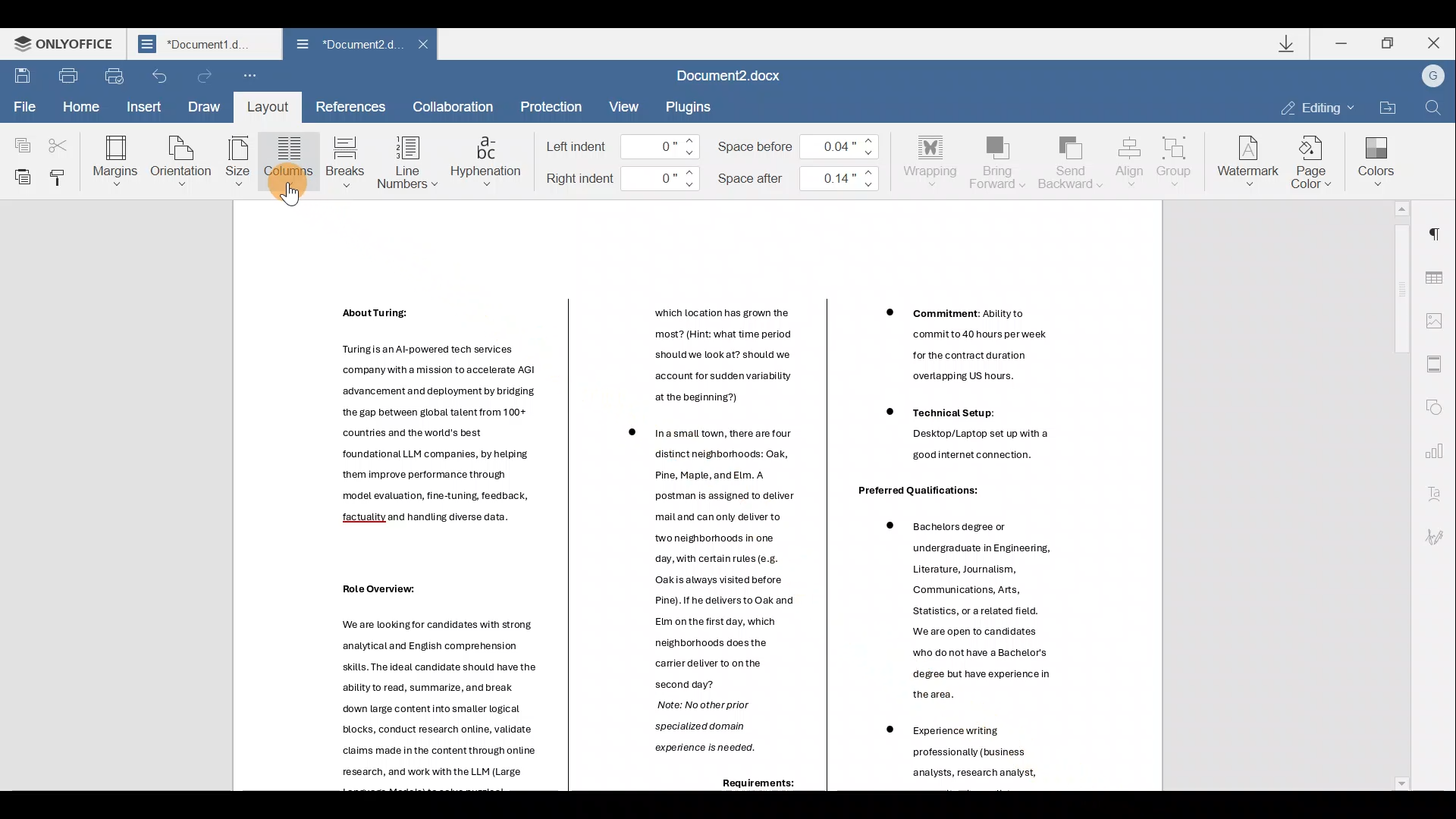 The height and width of the screenshot is (819, 1456). Describe the element at coordinates (705, 357) in the screenshot. I see `` at that location.